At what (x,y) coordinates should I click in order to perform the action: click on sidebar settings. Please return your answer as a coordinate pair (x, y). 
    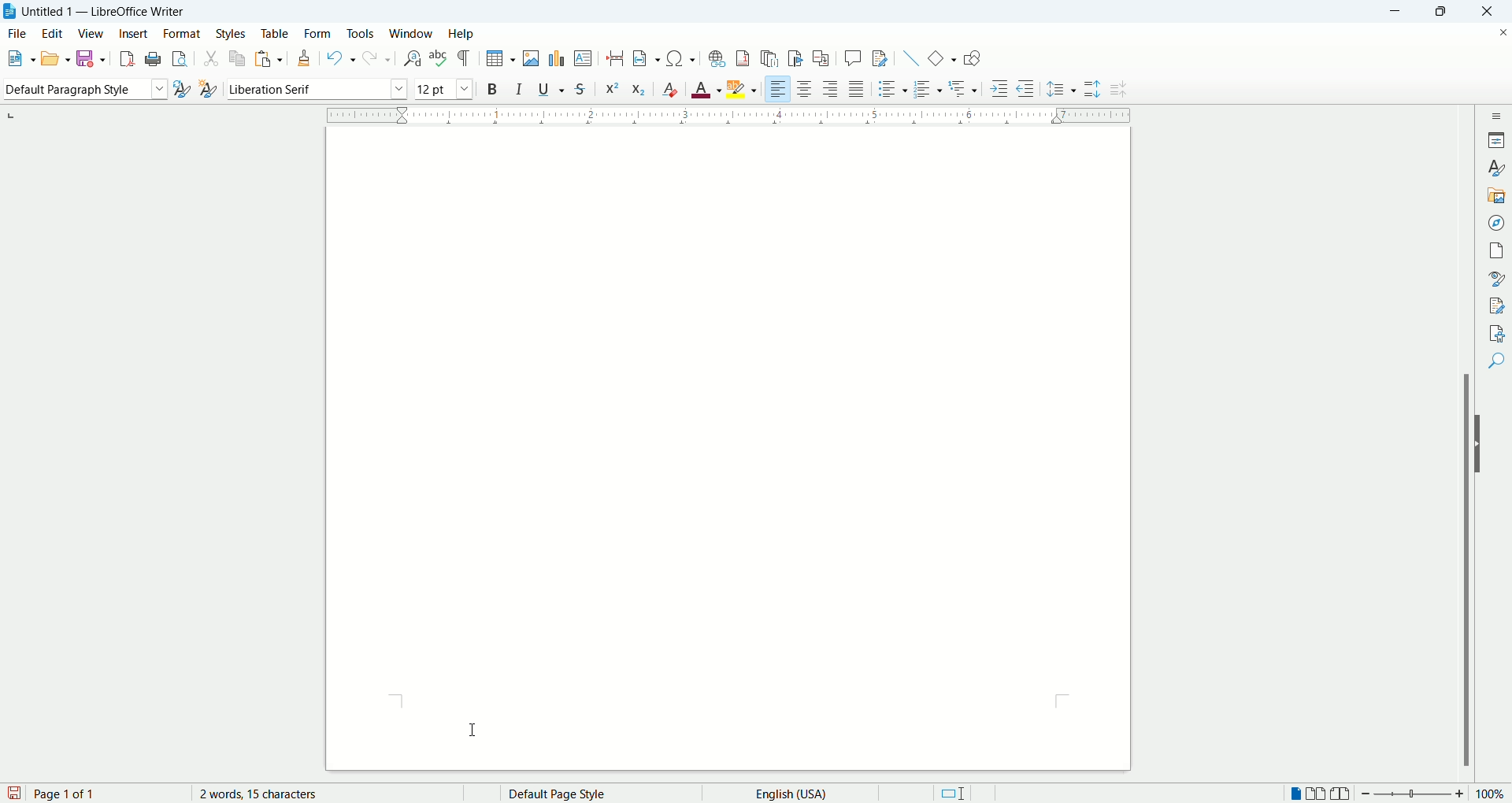
    Looking at the image, I should click on (1499, 113).